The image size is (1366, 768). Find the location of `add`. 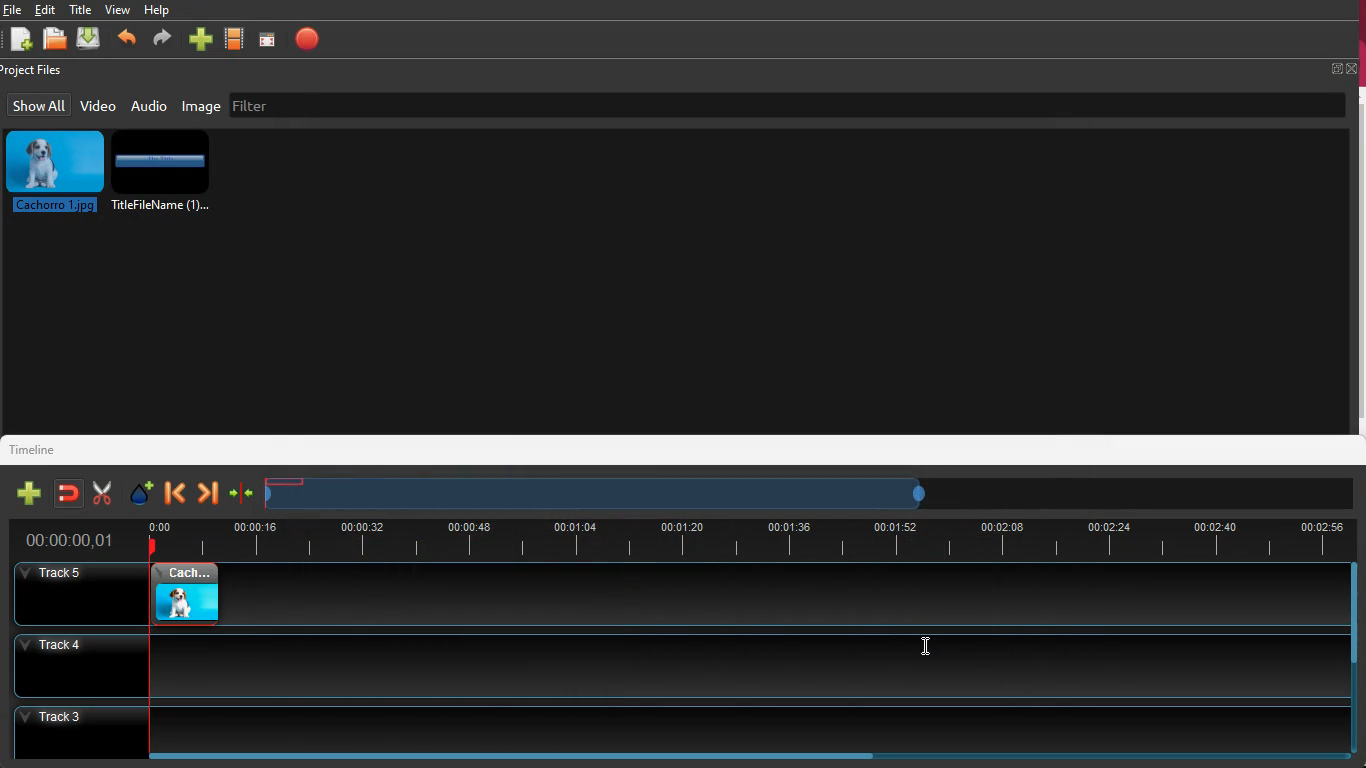

add is located at coordinates (20, 41).